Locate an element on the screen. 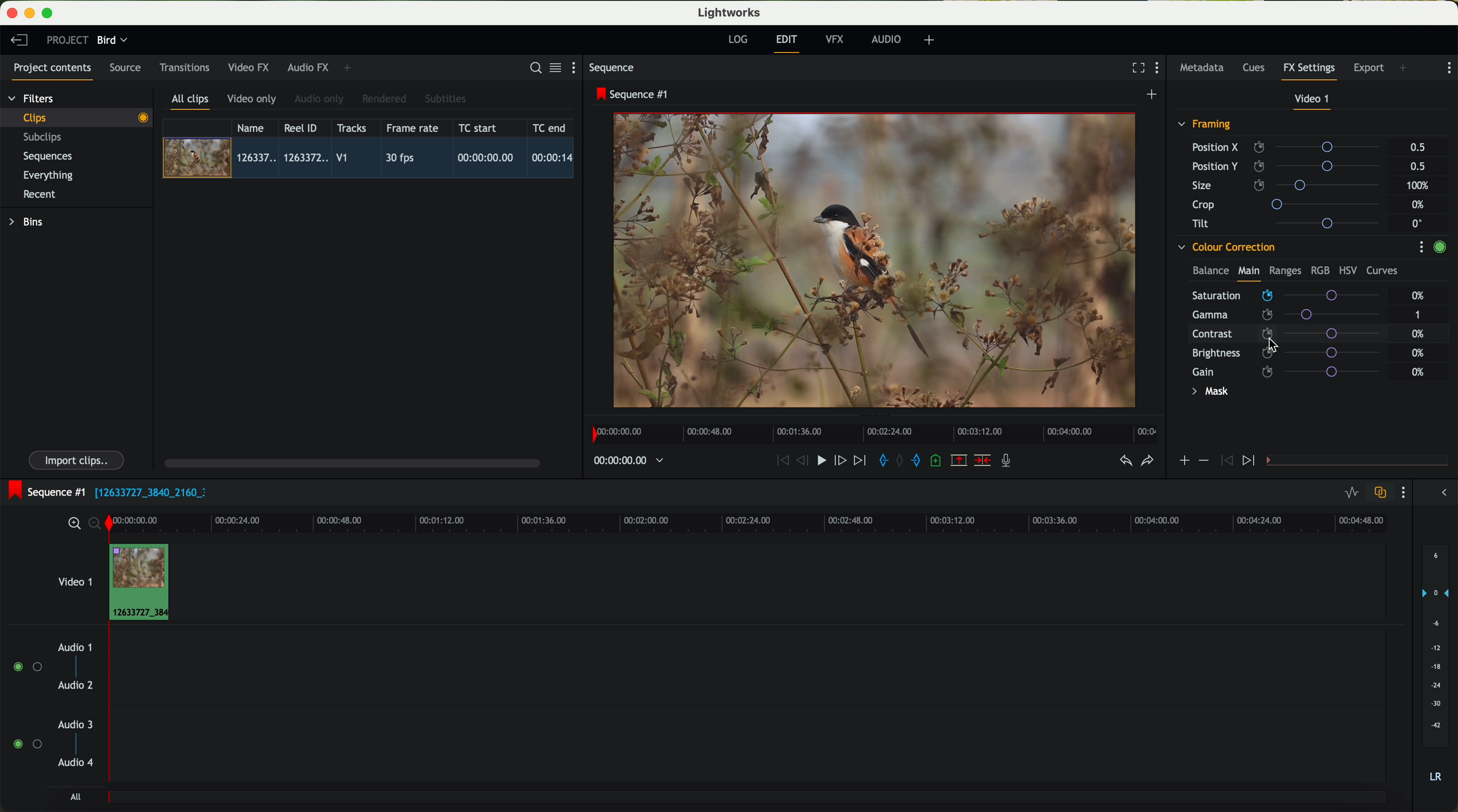  subtitles is located at coordinates (444, 99).